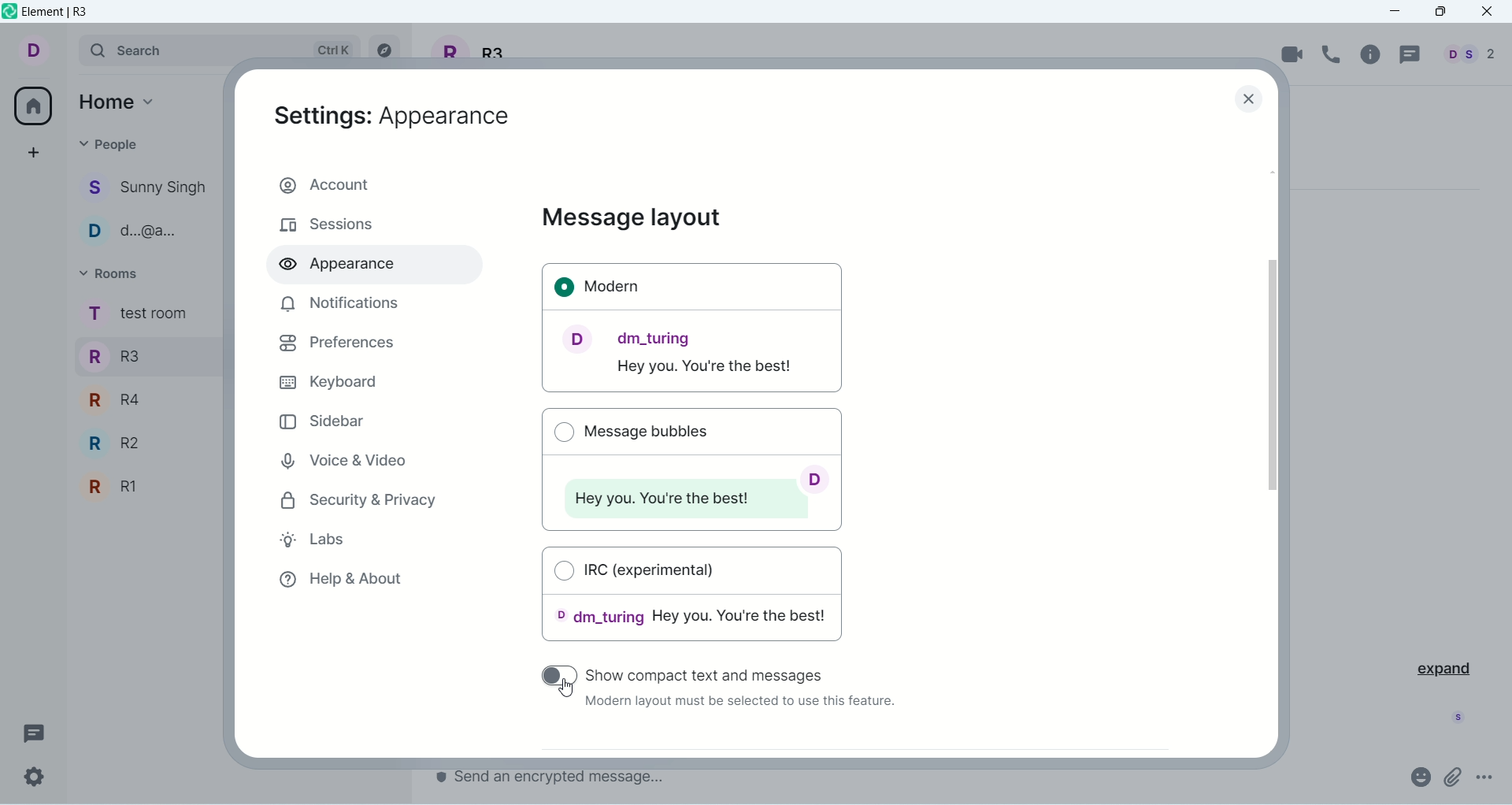 The image size is (1512, 805). What do you see at coordinates (147, 190) in the screenshot?
I see `people` at bounding box center [147, 190].